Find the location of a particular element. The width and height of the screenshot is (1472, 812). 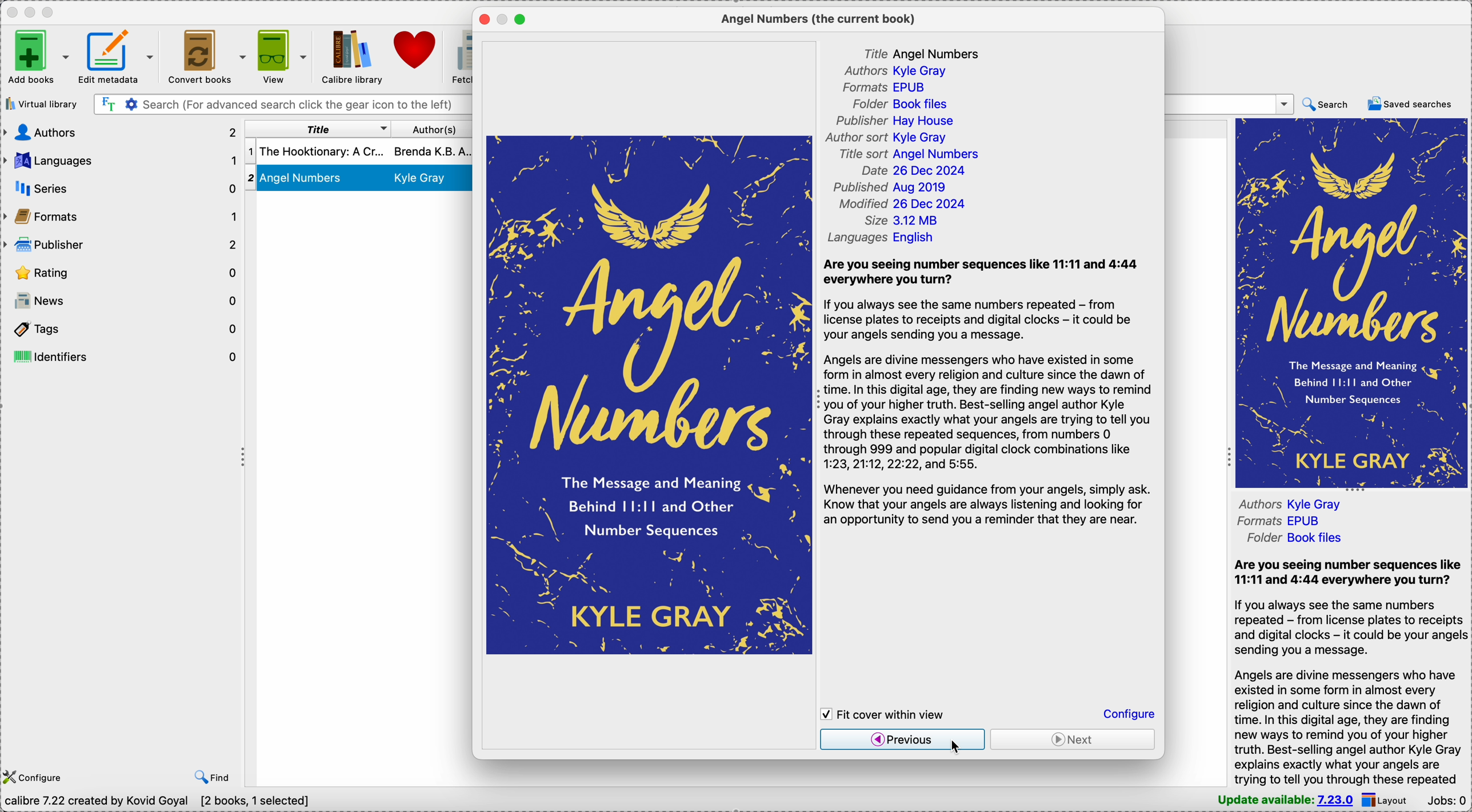

fetch news is located at coordinates (461, 57).